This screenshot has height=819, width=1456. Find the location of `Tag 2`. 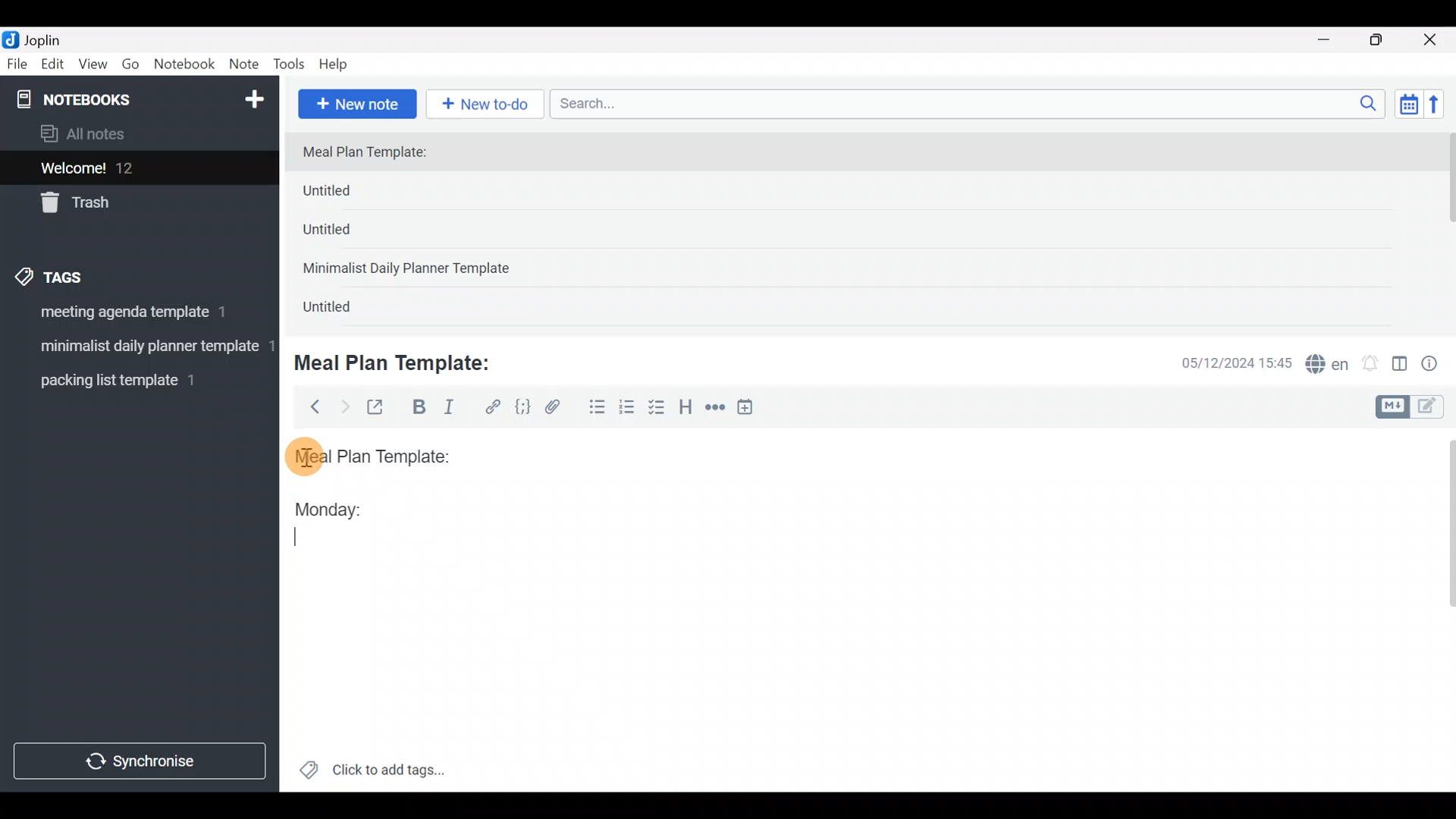

Tag 2 is located at coordinates (139, 348).